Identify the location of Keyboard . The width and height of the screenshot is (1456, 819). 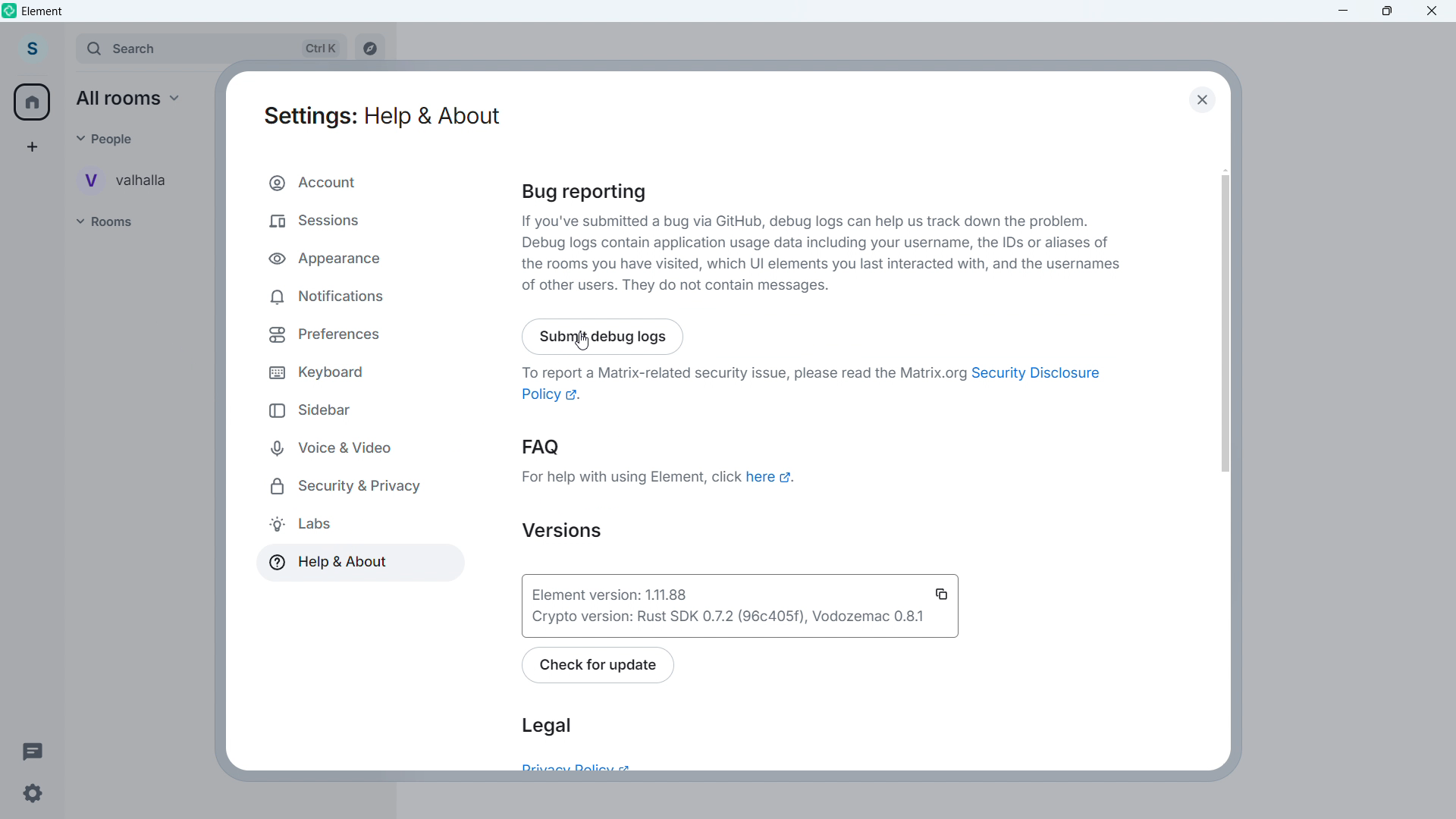
(317, 372).